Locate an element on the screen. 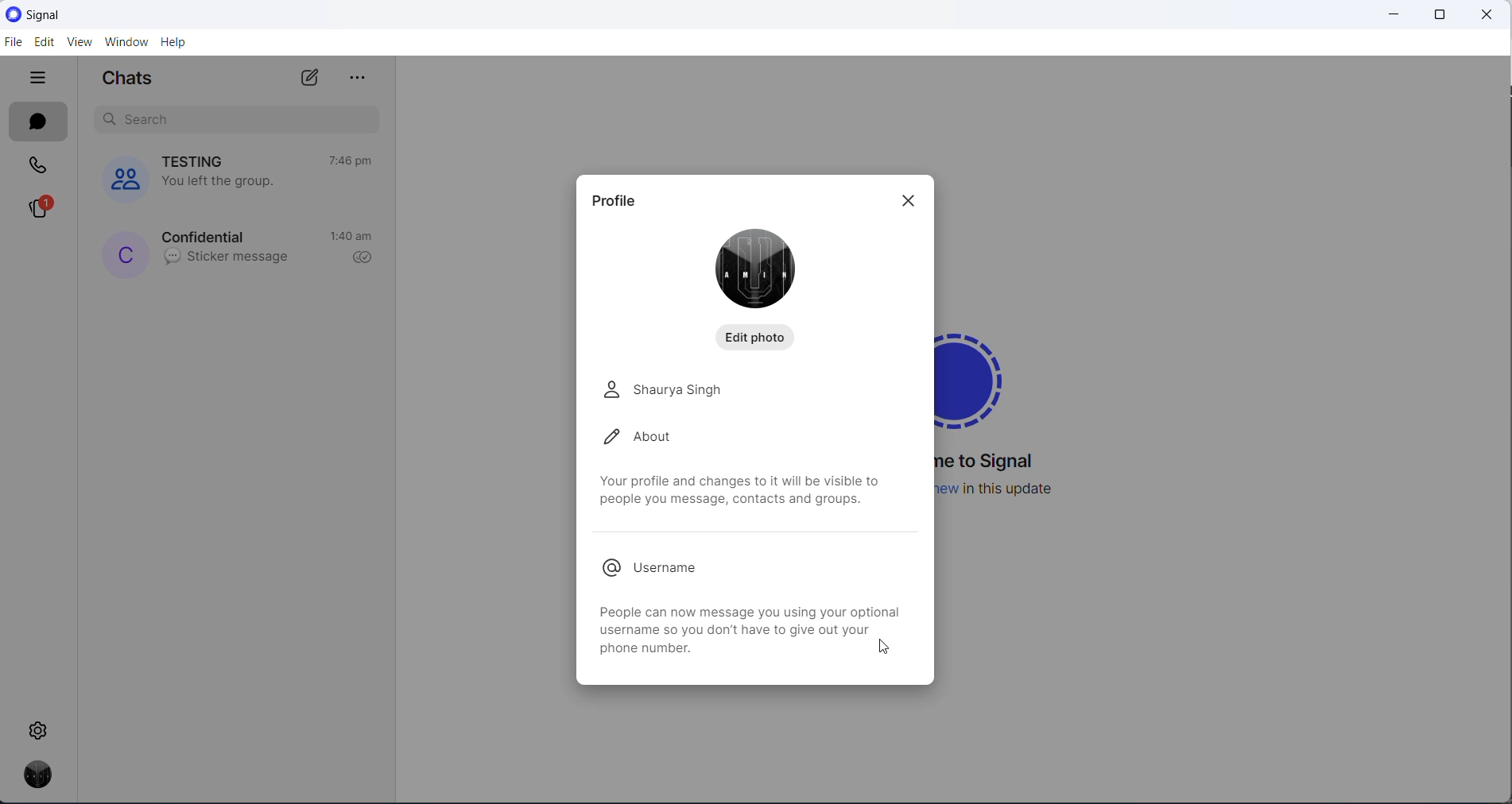  username is located at coordinates (665, 569).